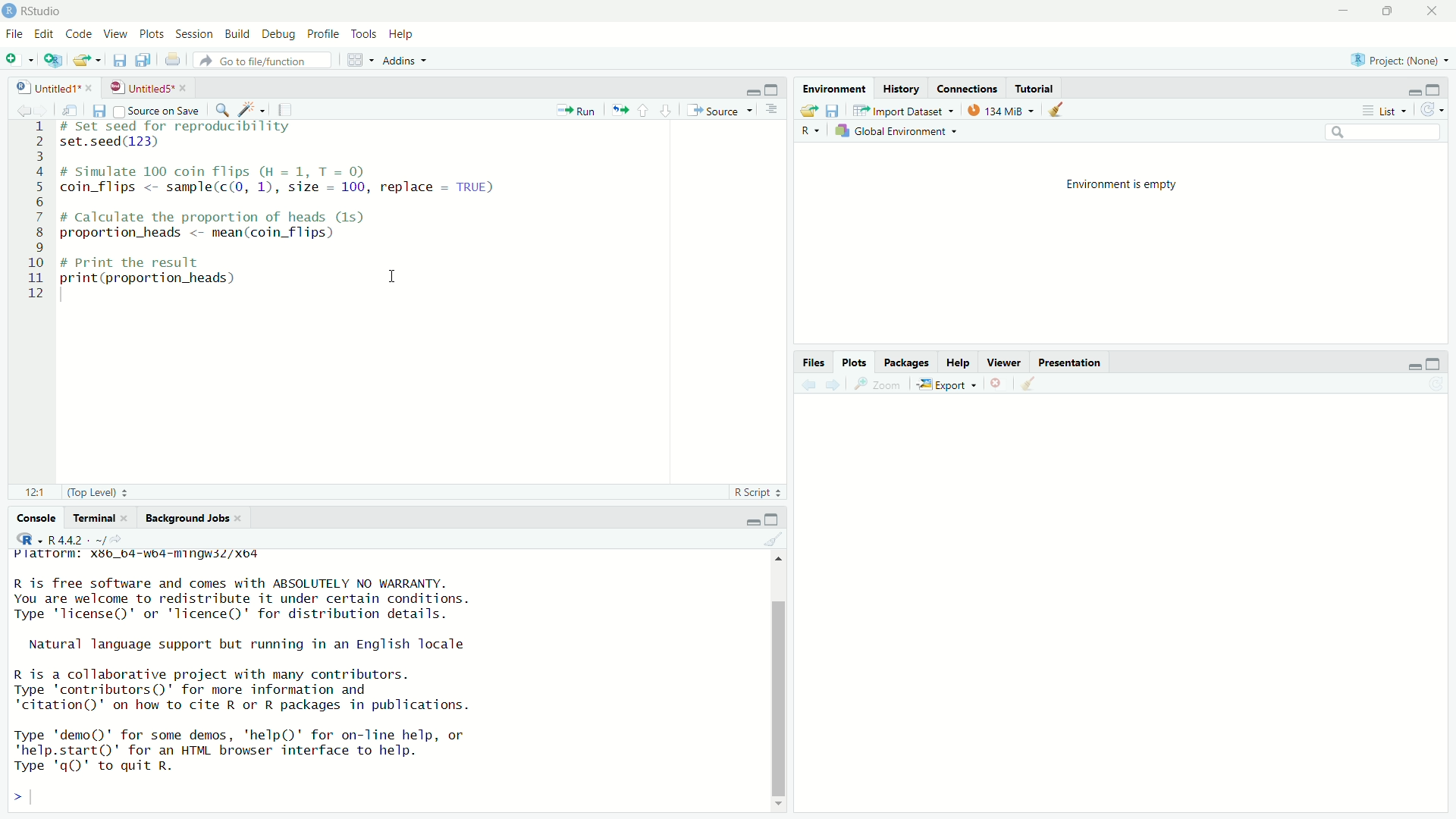 The height and width of the screenshot is (819, 1456). Describe the element at coordinates (189, 127) in the screenshot. I see `# set seed for reproducibility` at that location.